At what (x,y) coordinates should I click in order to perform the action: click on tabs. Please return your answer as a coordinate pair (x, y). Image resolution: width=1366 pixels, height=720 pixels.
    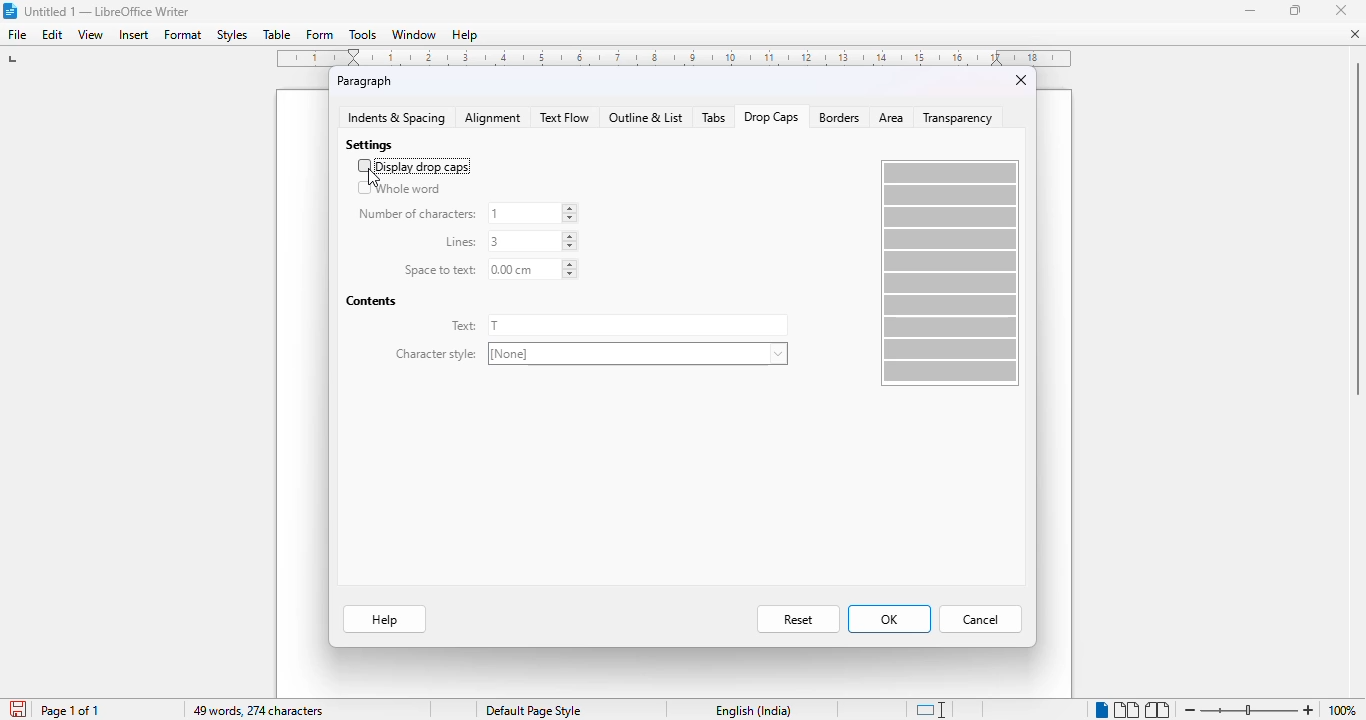
    Looking at the image, I should click on (715, 117).